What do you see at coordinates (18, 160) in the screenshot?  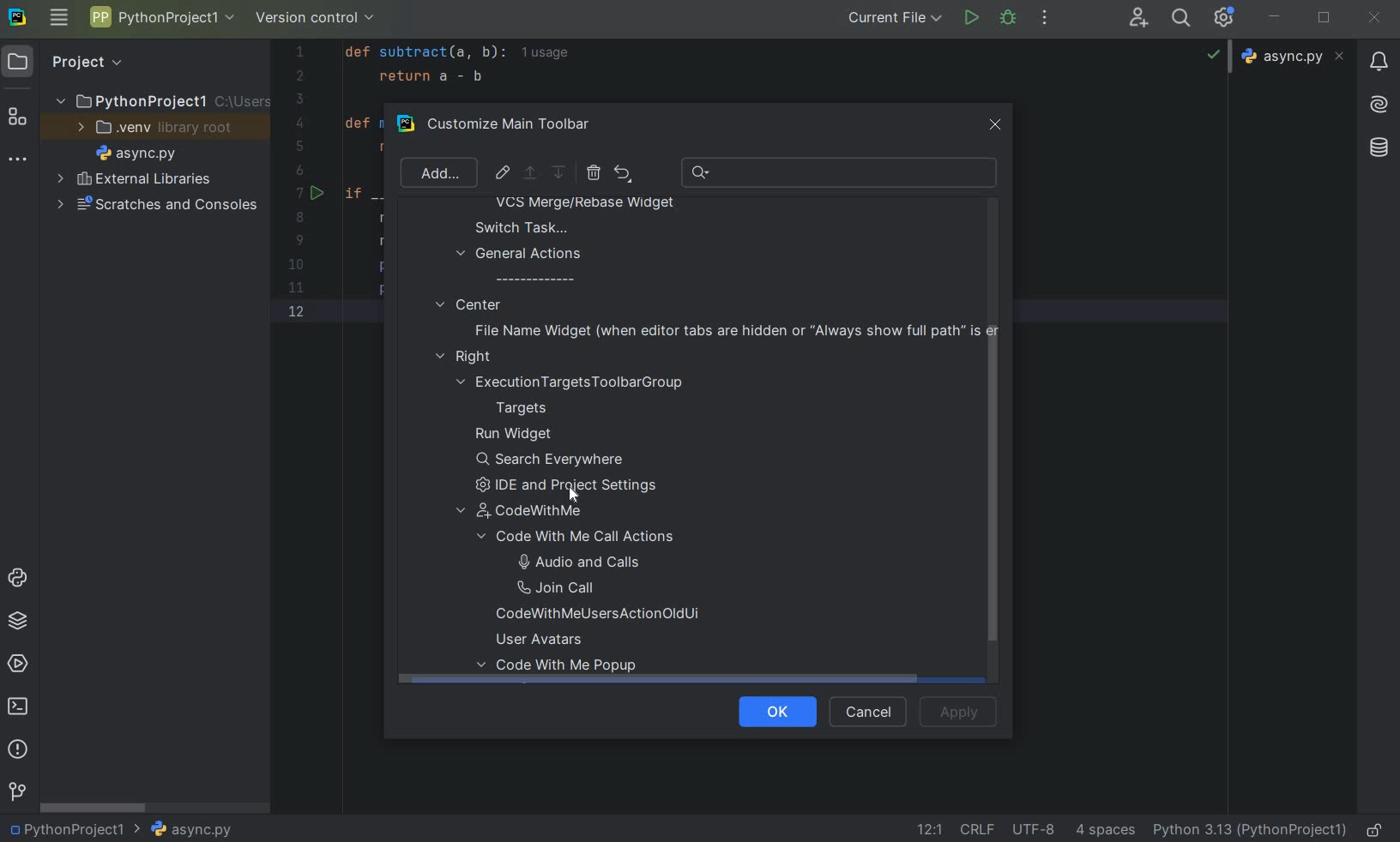 I see `MORE TOOL WINDOWS` at bounding box center [18, 160].